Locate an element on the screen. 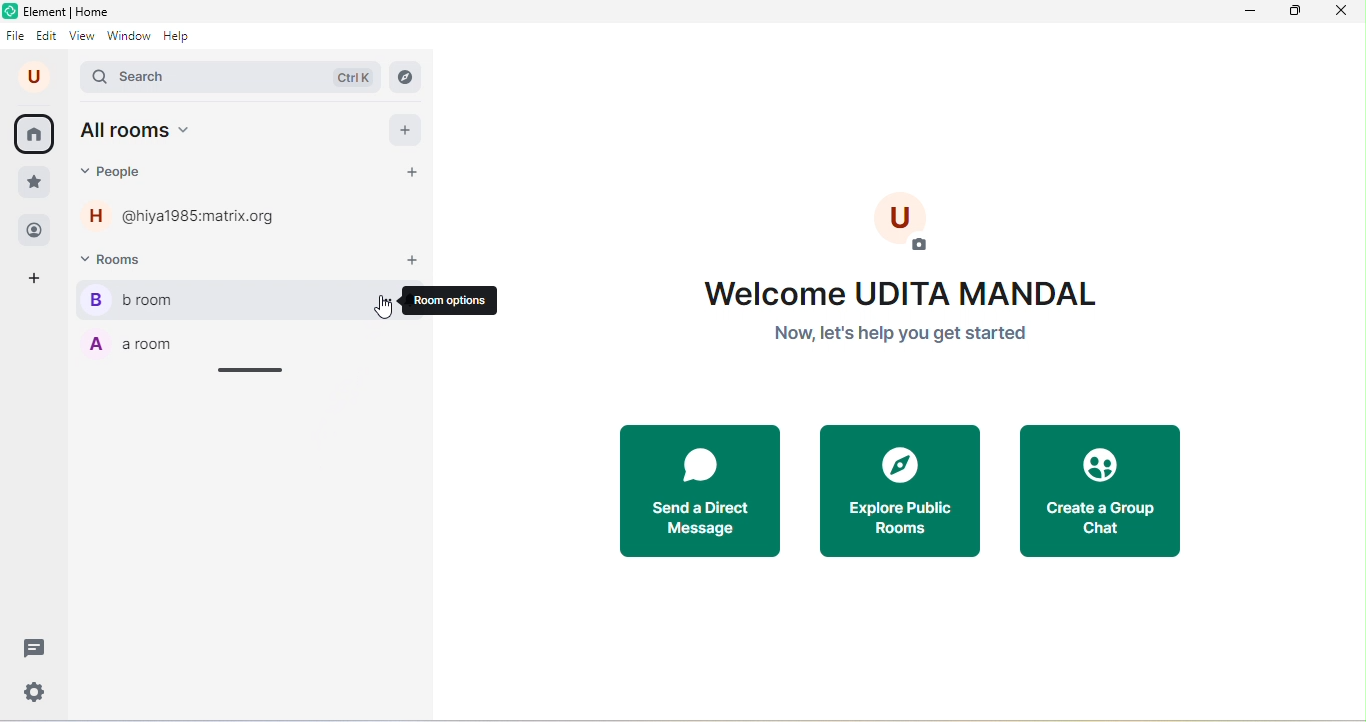 The width and height of the screenshot is (1366, 722). element home is located at coordinates (73, 11).